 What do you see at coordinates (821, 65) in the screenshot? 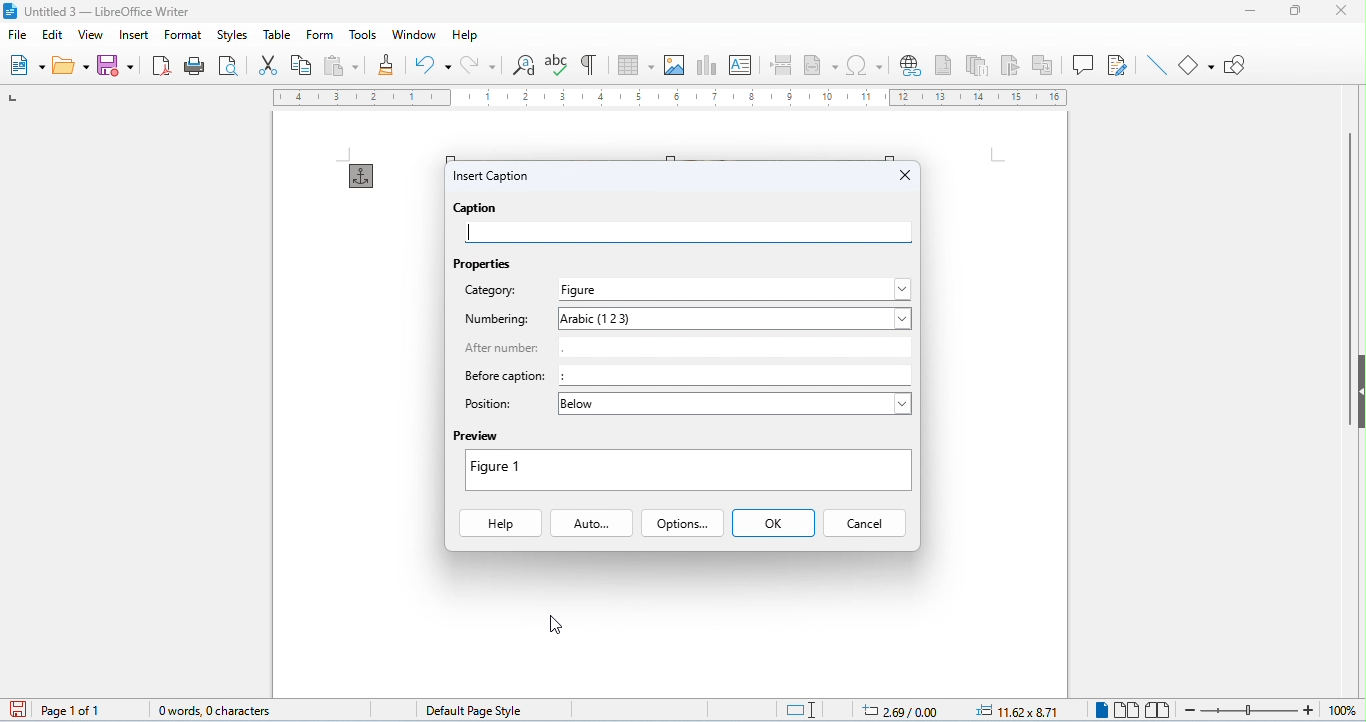
I see `insert field` at bounding box center [821, 65].